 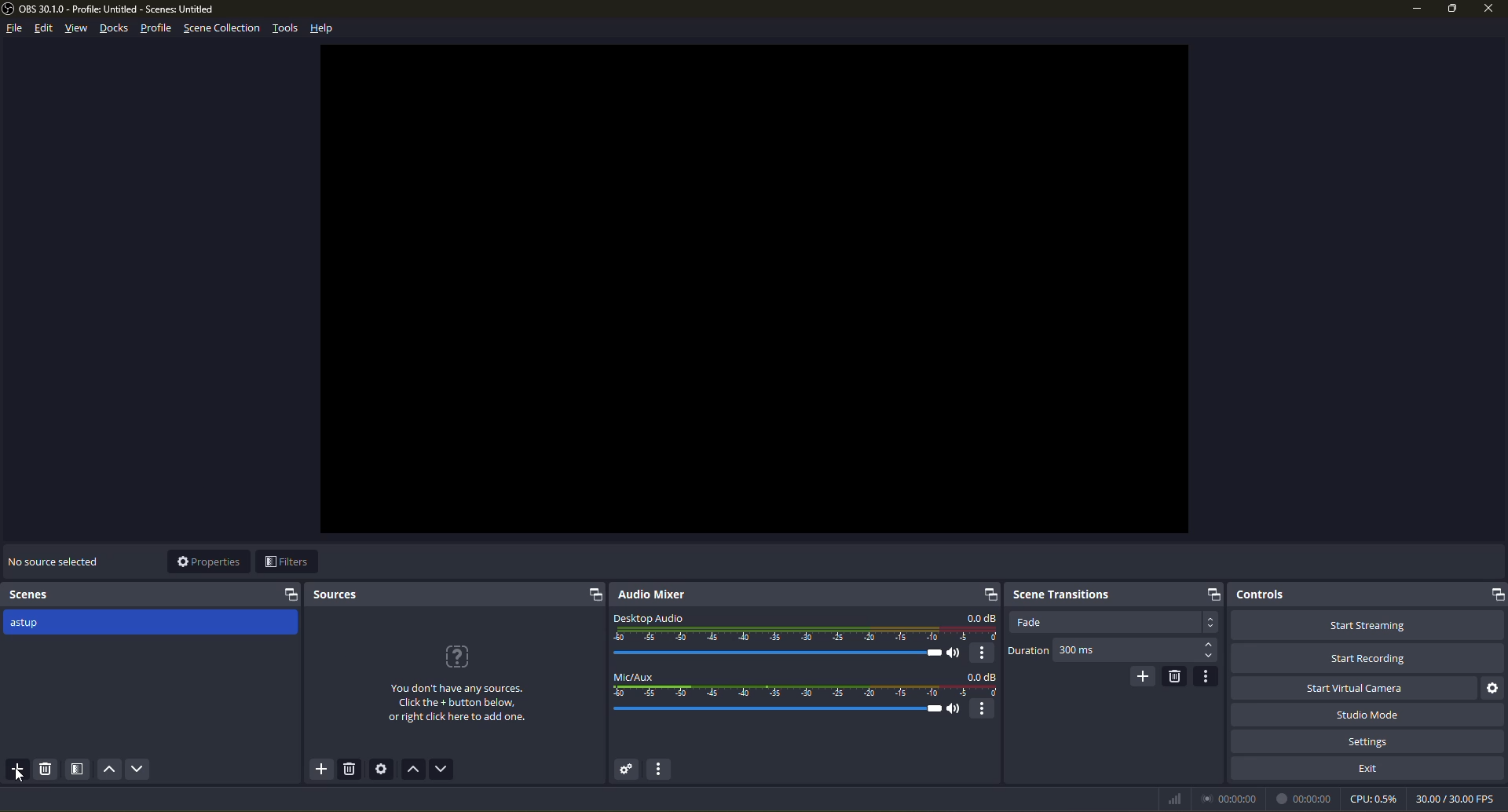 I want to click on no source selected, so click(x=57, y=560).